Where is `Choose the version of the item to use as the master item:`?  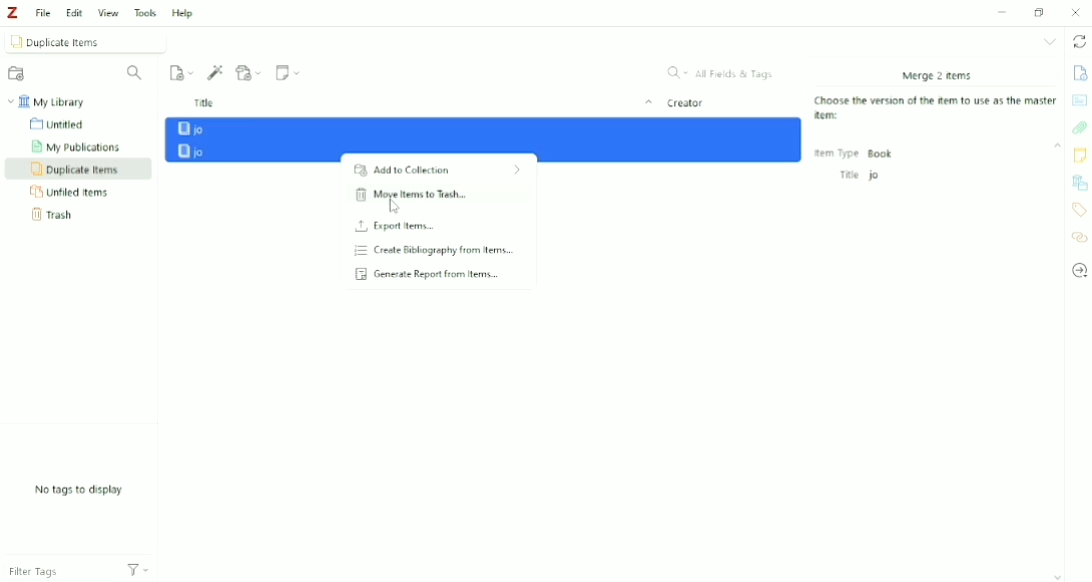
Choose the version of the item to use as the master item: is located at coordinates (938, 109).